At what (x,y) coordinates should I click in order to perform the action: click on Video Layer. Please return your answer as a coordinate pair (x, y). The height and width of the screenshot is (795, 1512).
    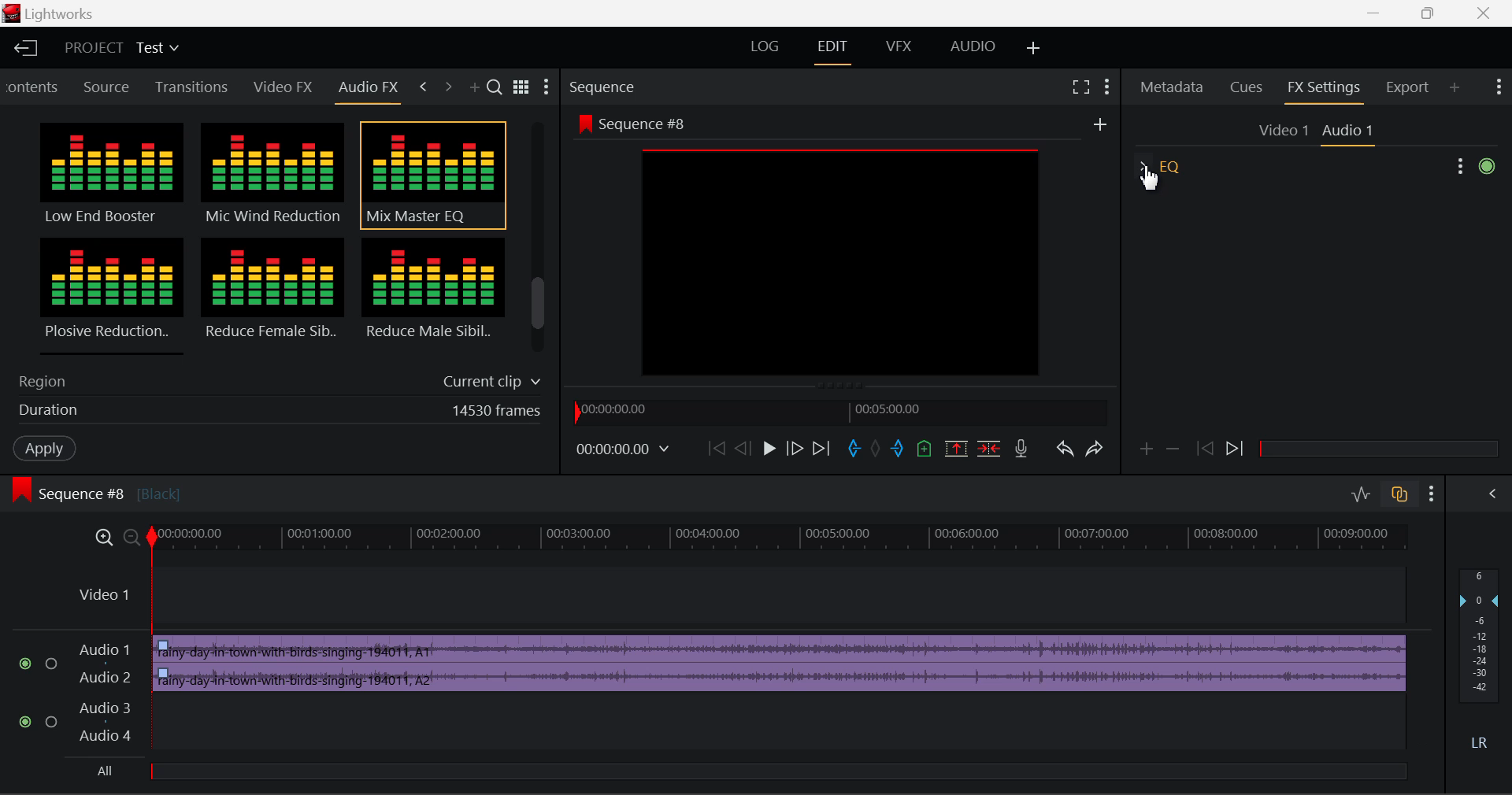
    Looking at the image, I should click on (737, 597).